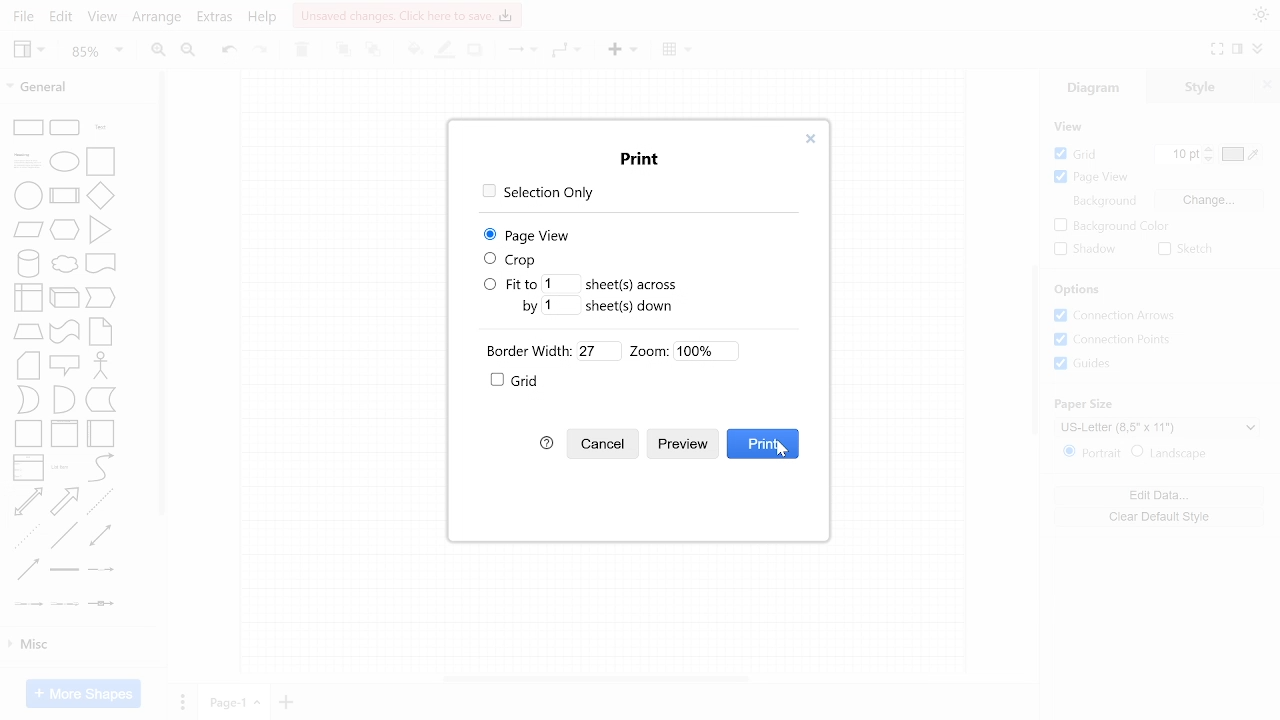 The image size is (1280, 720). What do you see at coordinates (183, 701) in the screenshot?
I see `More pages setting` at bounding box center [183, 701].